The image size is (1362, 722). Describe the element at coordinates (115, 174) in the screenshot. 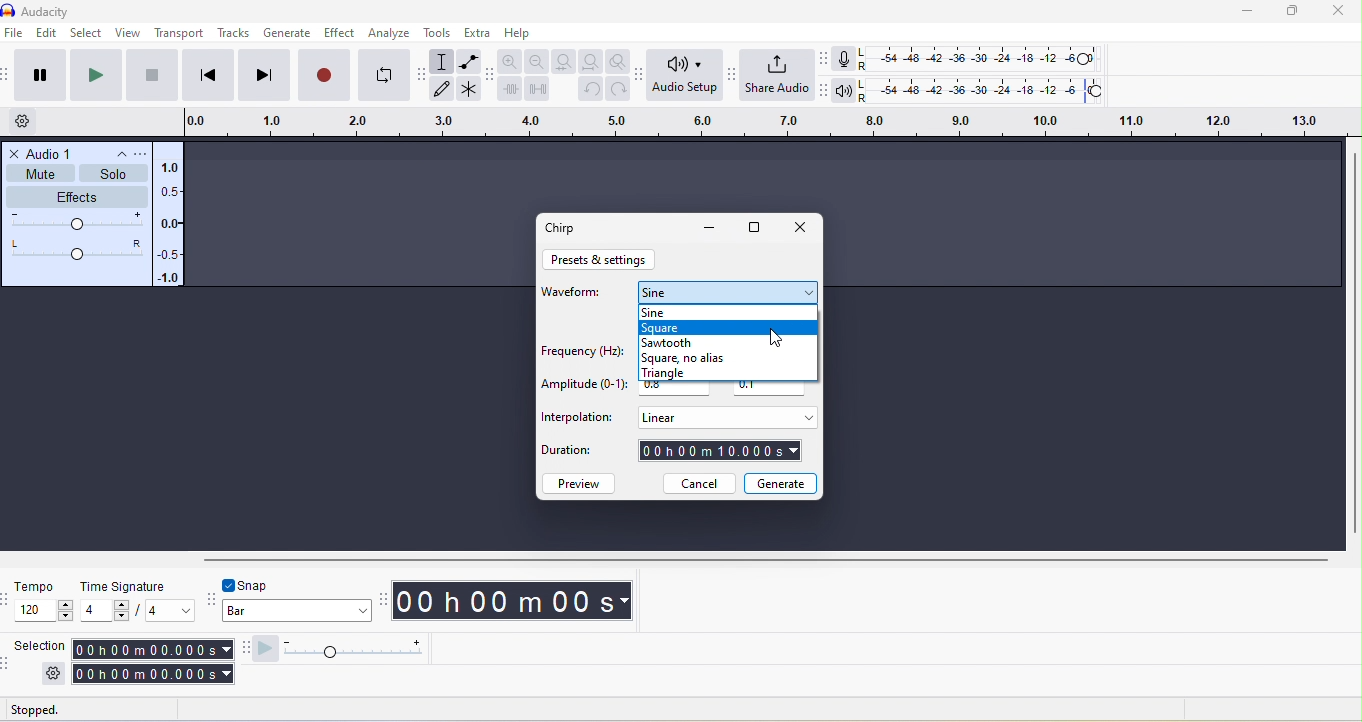

I see `solo` at that location.